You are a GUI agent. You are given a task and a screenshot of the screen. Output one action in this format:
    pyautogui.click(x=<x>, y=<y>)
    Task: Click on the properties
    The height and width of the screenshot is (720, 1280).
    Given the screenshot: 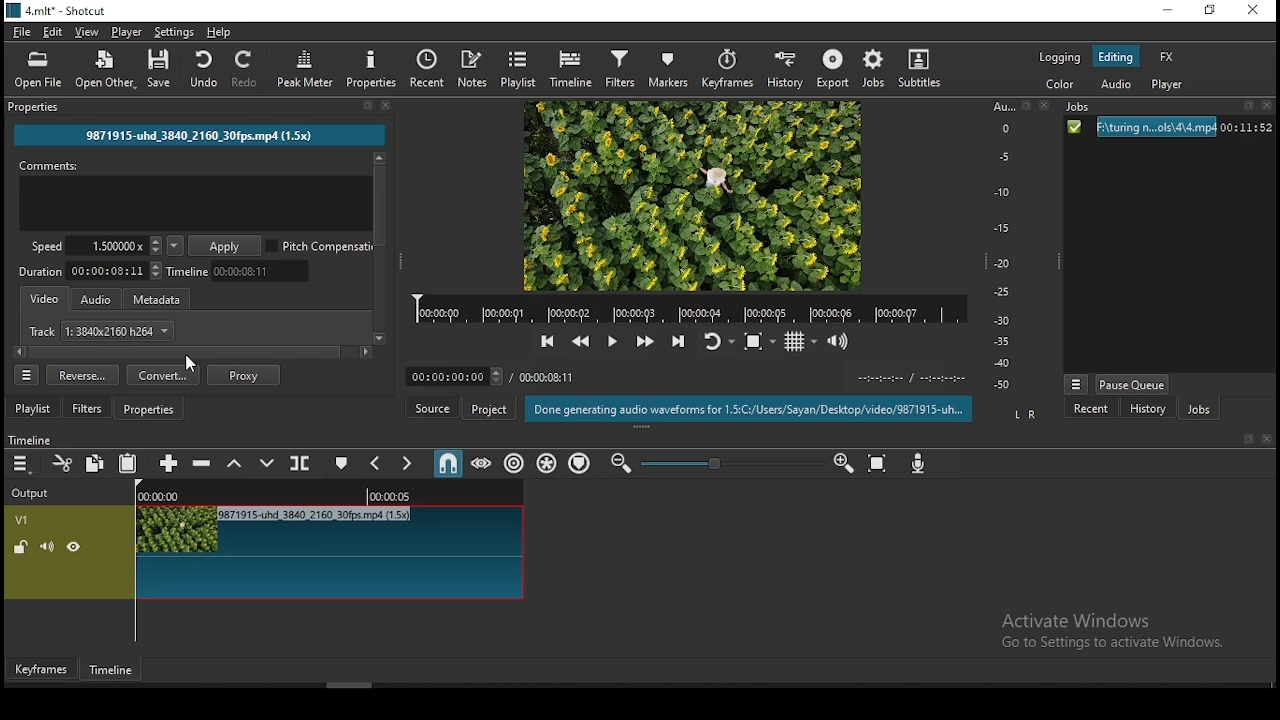 What is the action you would take?
    pyautogui.click(x=374, y=68)
    